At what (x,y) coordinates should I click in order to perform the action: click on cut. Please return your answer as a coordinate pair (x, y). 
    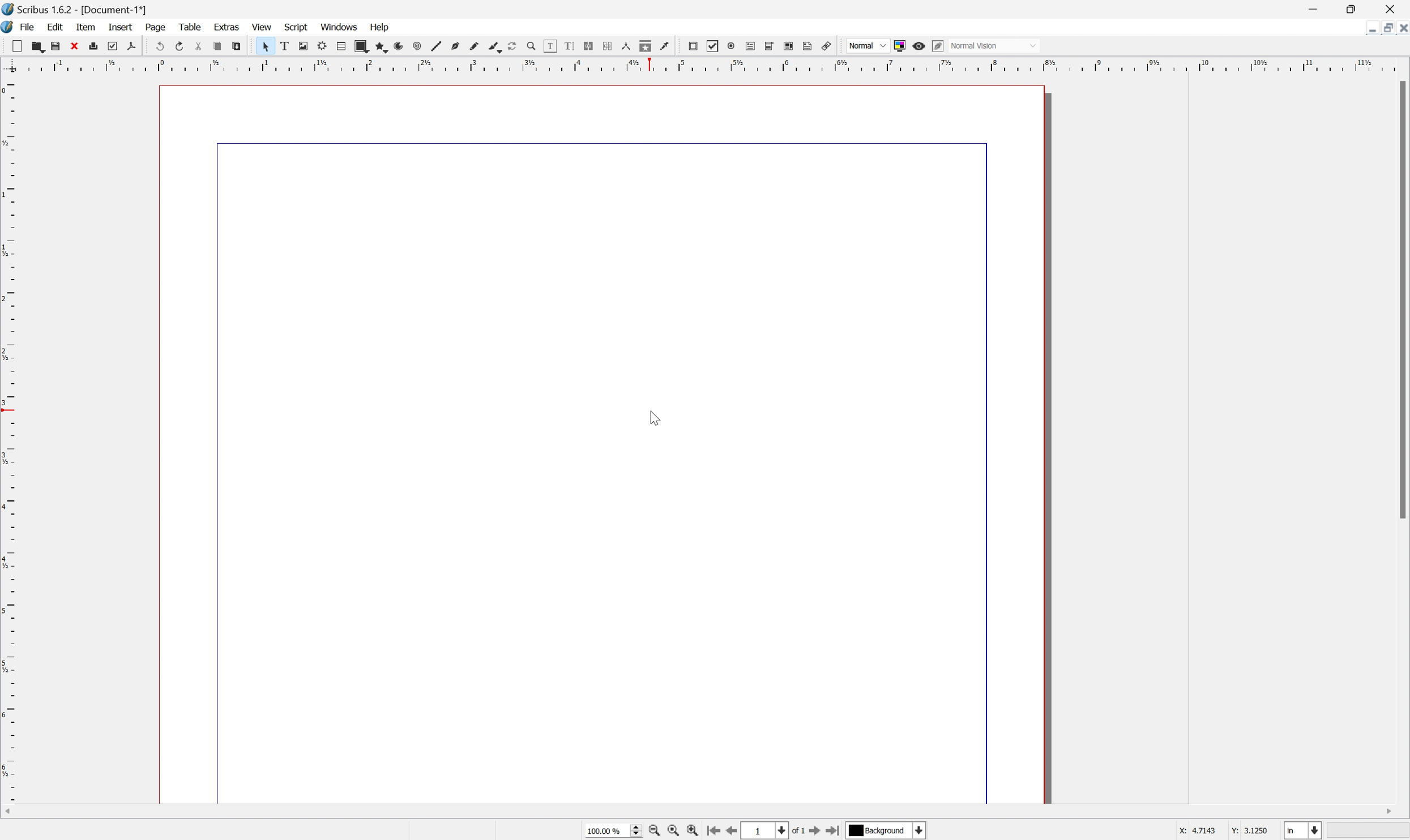
    Looking at the image, I should click on (12, 43).